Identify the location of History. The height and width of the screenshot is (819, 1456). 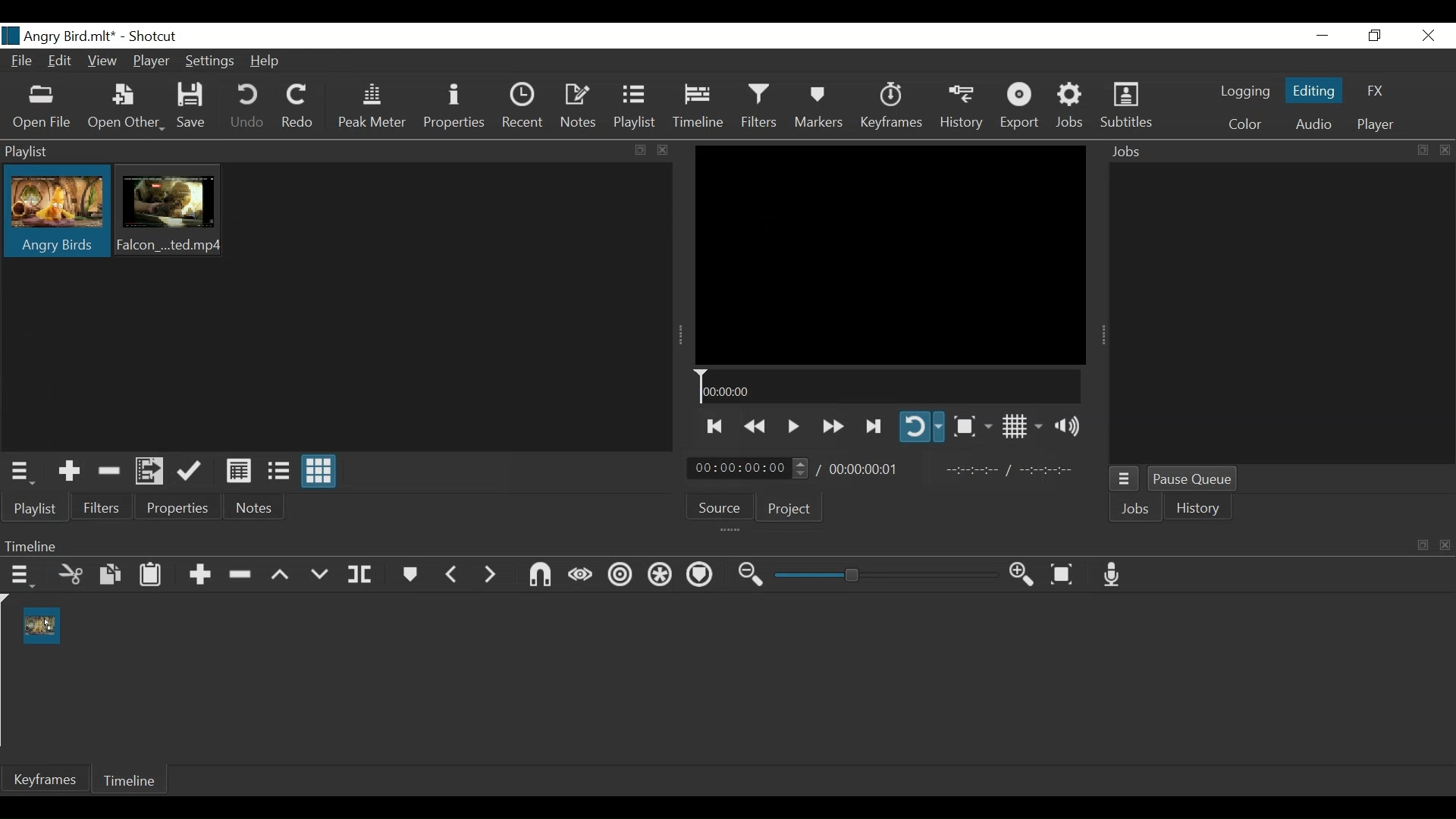
(964, 108).